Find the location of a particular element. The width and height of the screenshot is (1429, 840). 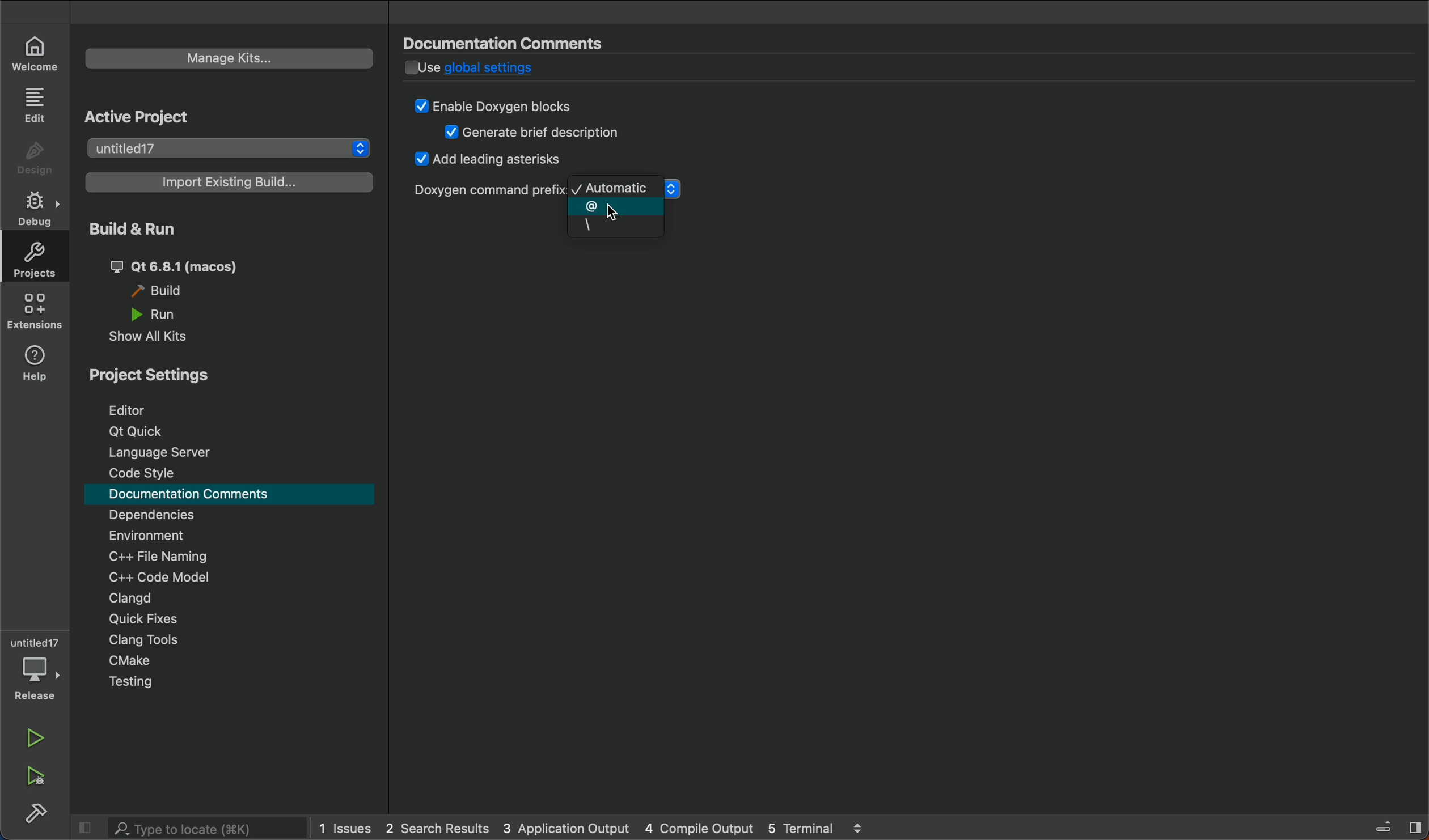

search bar is located at coordinates (208, 828).